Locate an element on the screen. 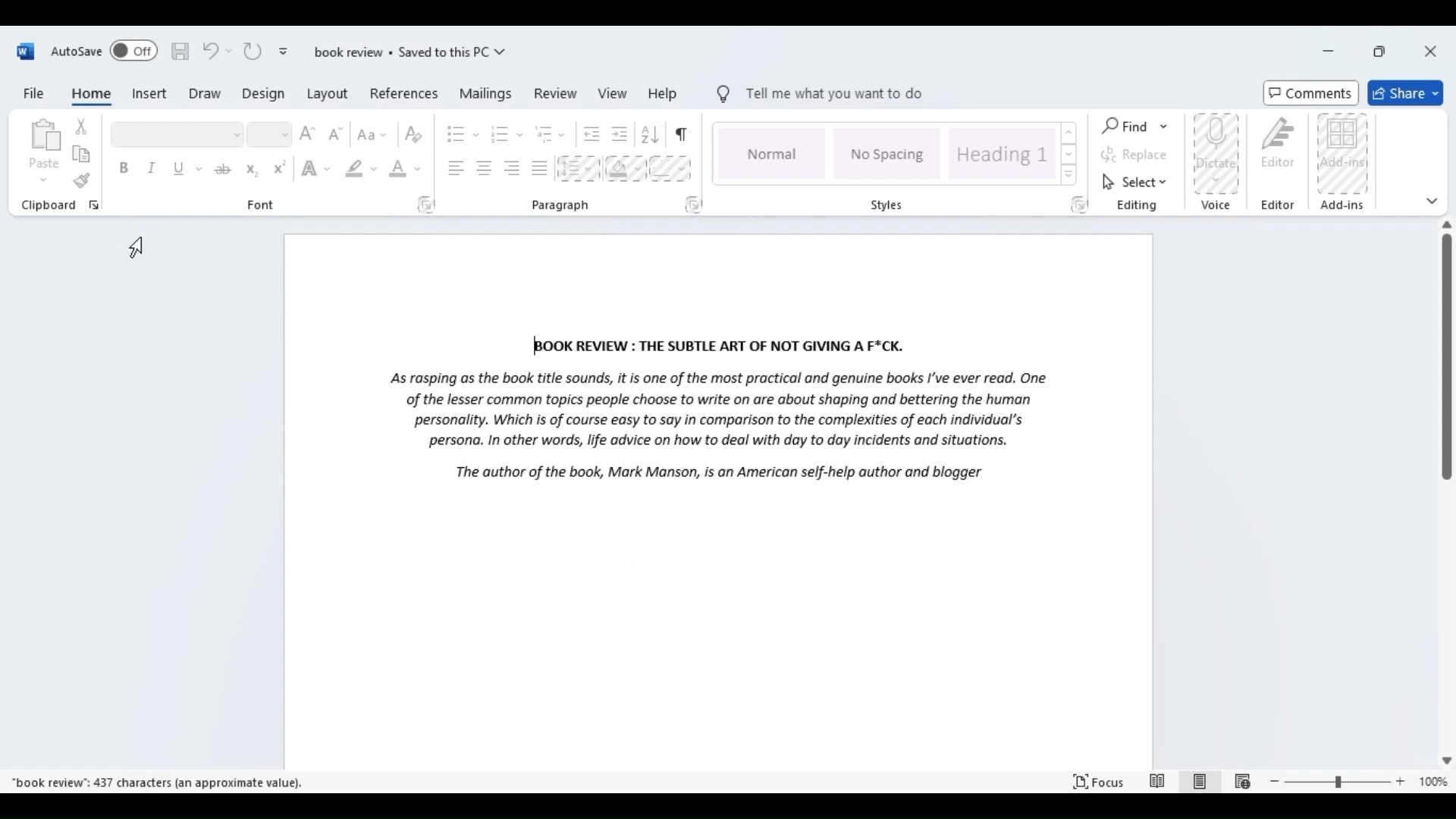  voice is located at coordinates (1216, 165).